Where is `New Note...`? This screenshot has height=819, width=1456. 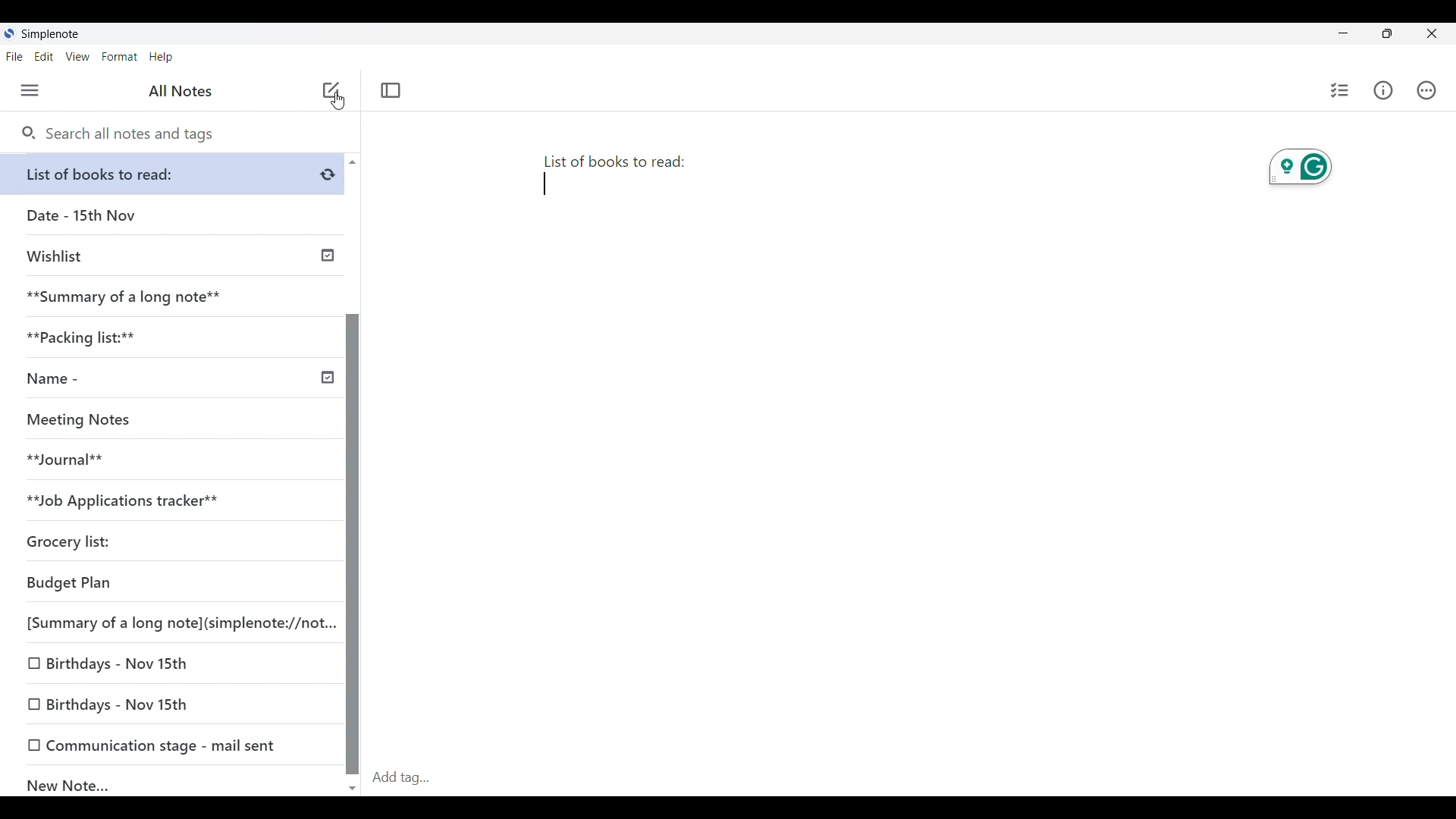
New Note... is located at coordinates (174, 782).